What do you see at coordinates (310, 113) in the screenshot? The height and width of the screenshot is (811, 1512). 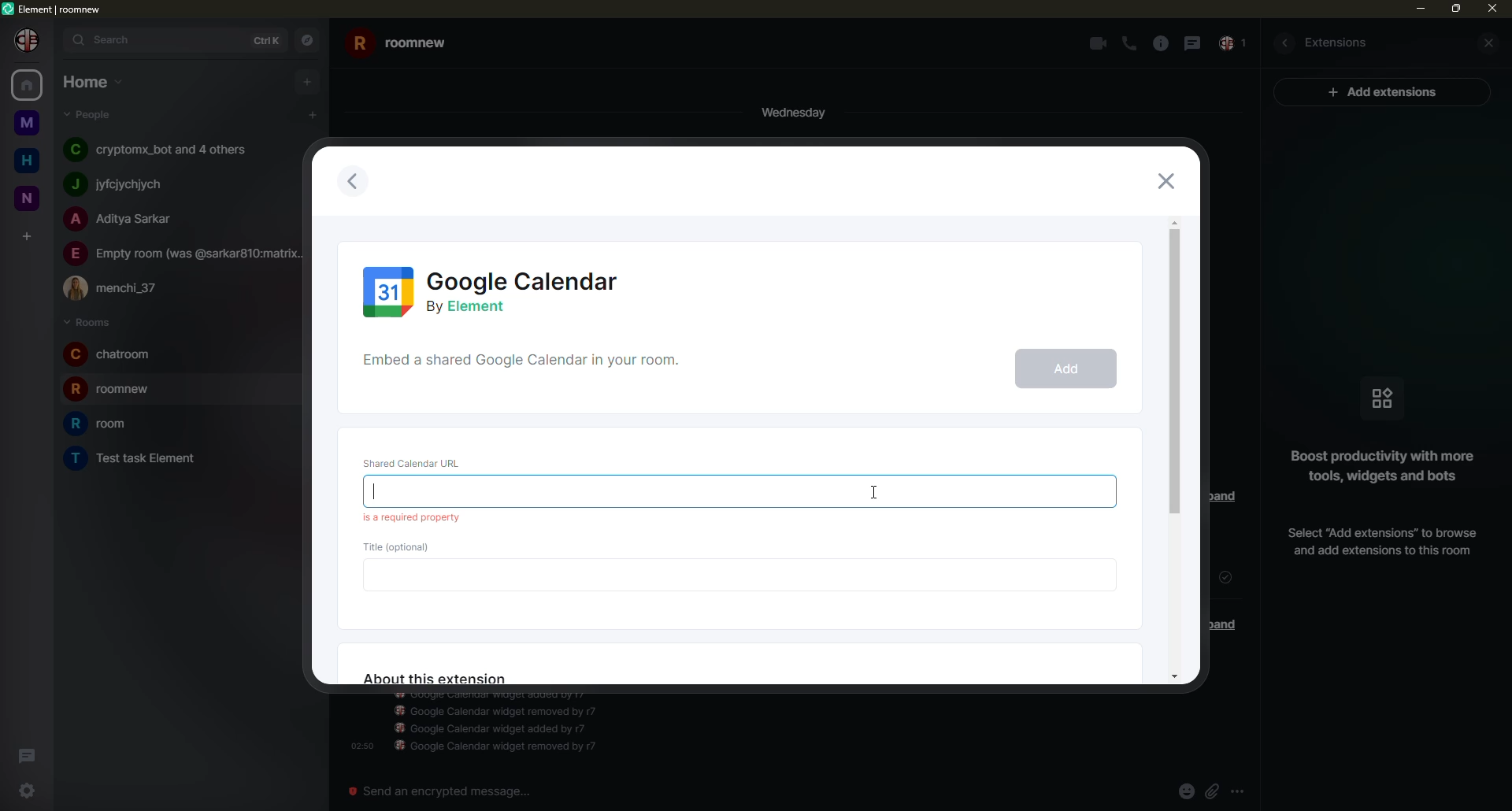 I see `add` at bounding box center [310, 113].